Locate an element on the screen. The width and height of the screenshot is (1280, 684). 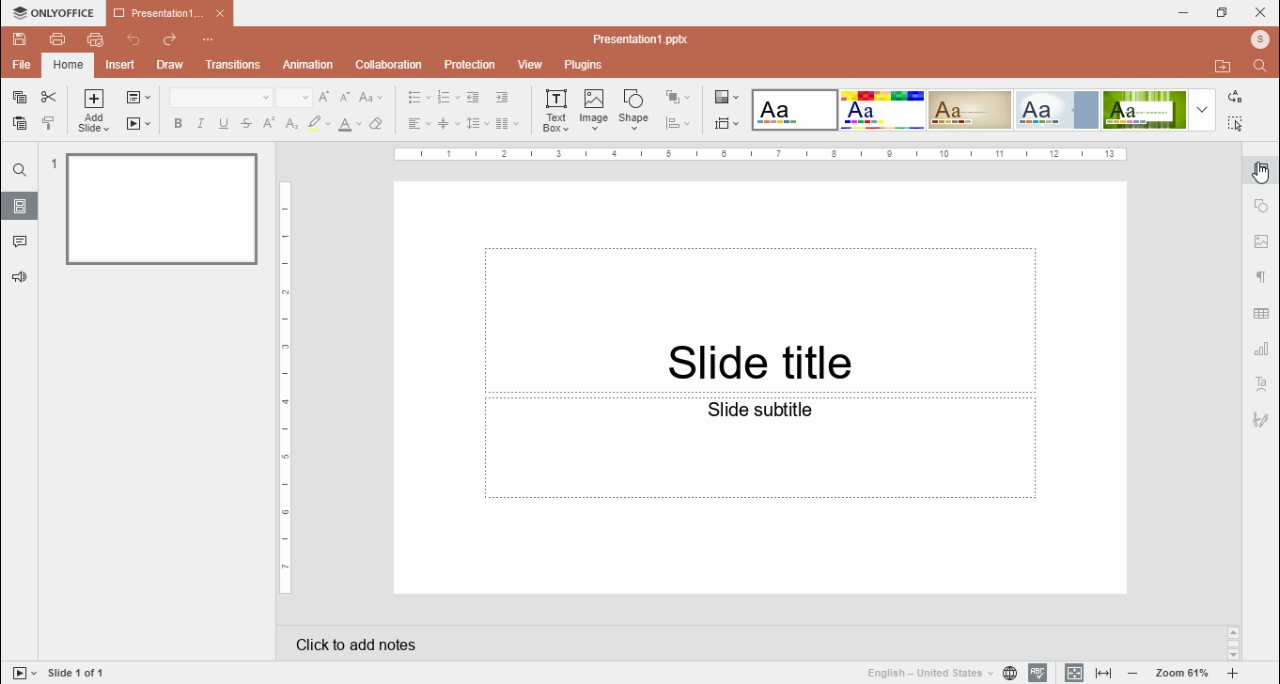
font size is located at coordinates (294, 97).